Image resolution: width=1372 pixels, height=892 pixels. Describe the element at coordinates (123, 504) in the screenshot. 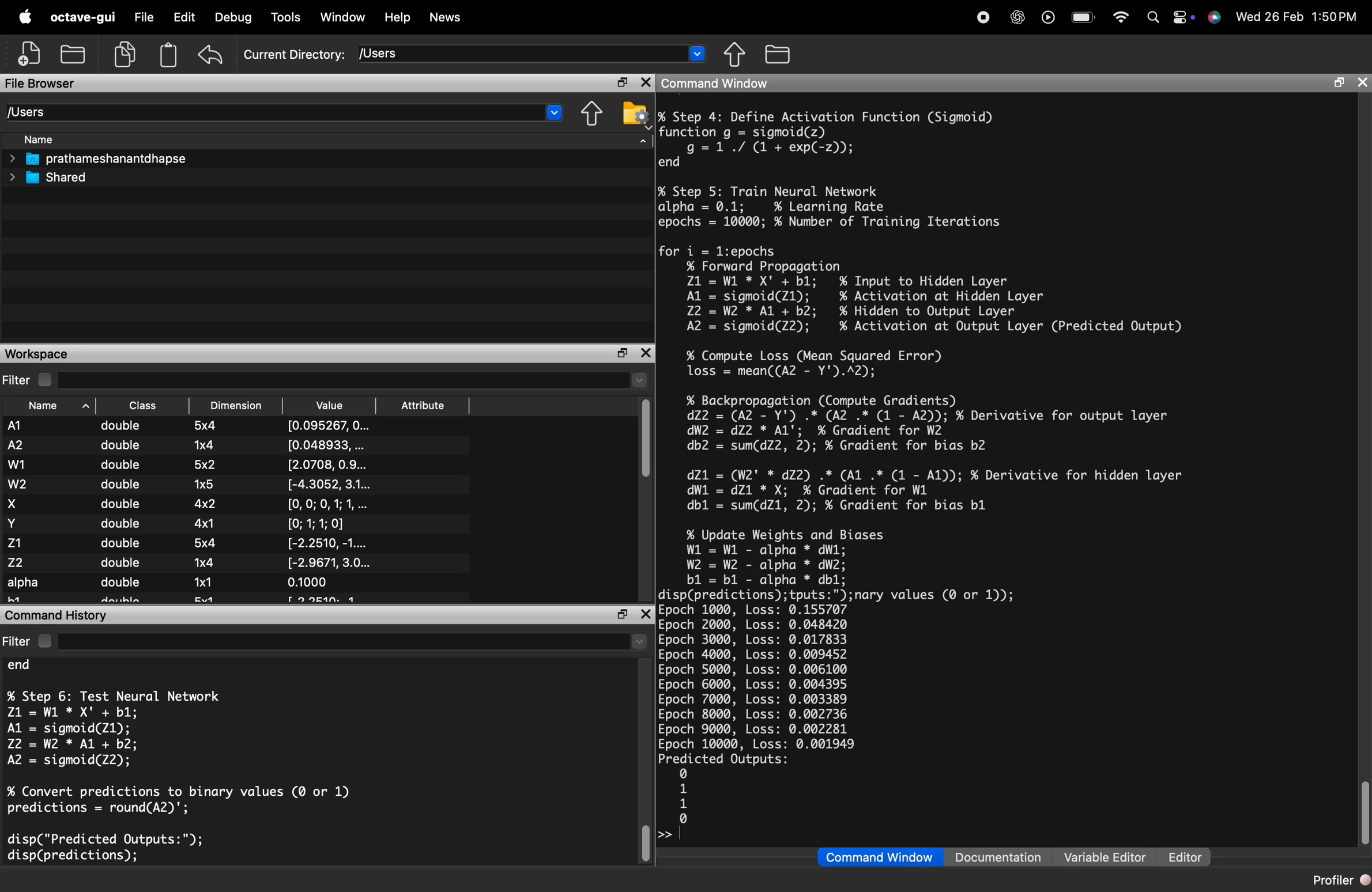

I see `double` at that location.